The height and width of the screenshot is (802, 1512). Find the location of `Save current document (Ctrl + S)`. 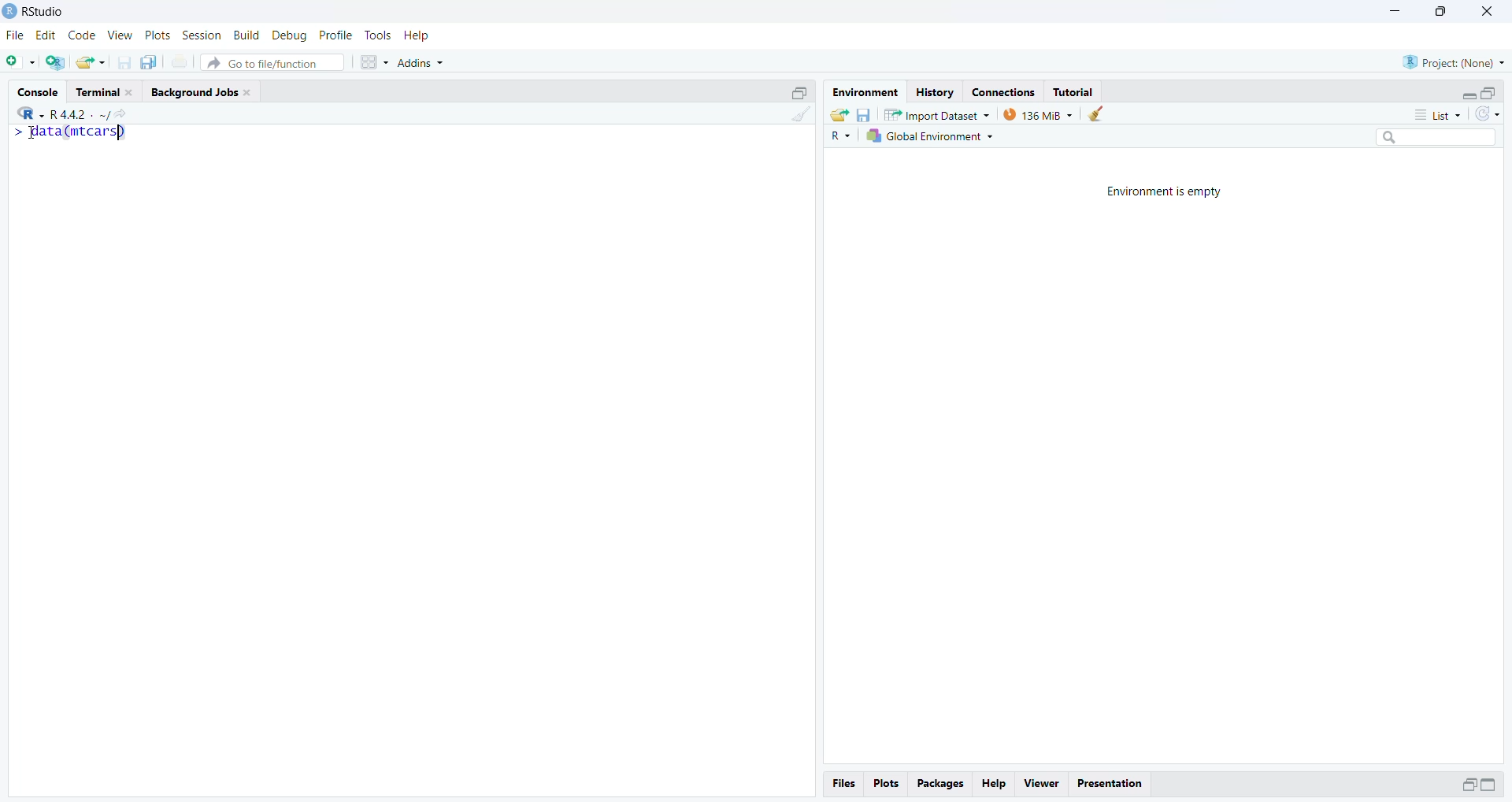

Save current document (Ctrl + S) is located at coordinates (128, 62).